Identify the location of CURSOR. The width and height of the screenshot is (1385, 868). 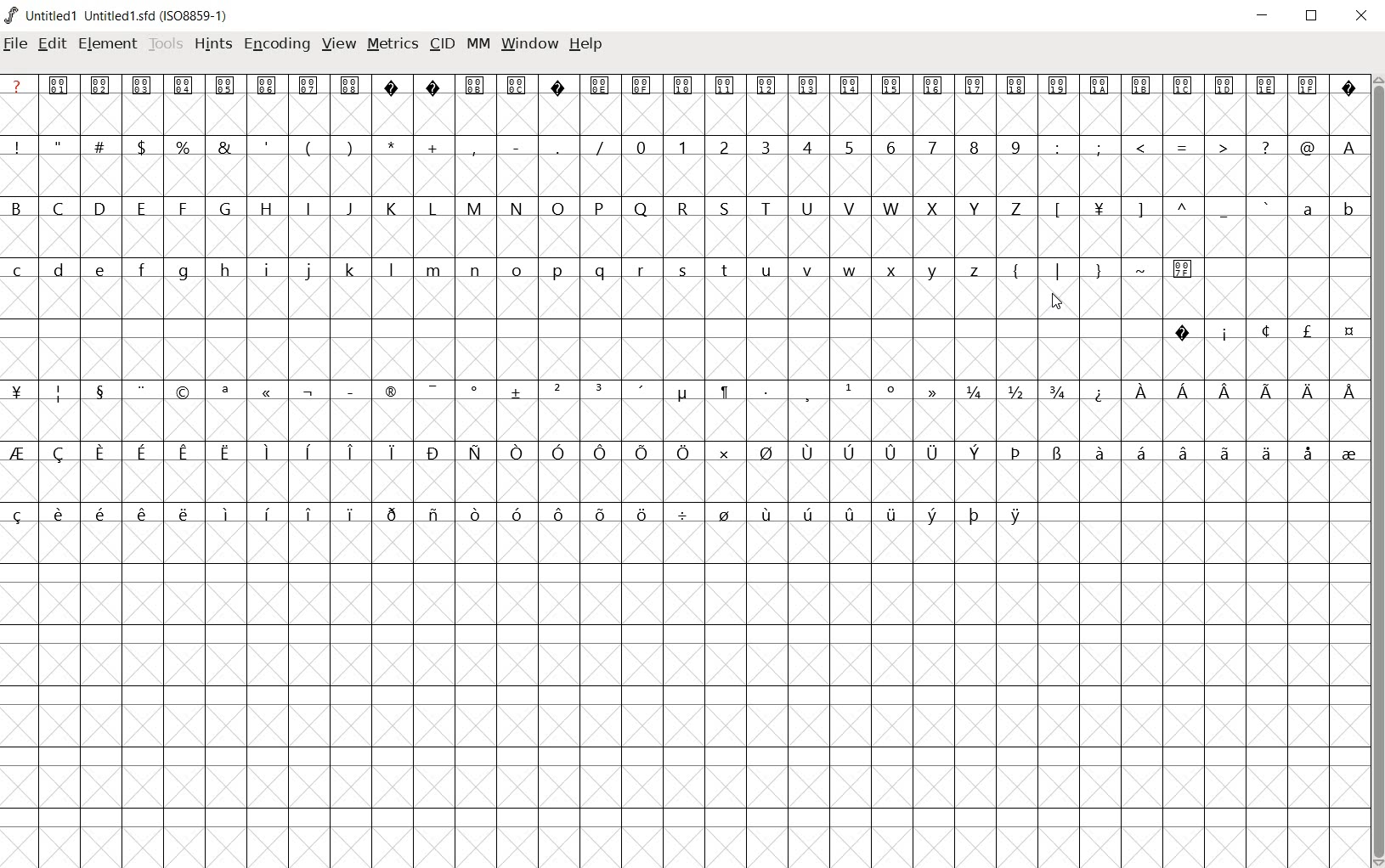
(1057, 304).